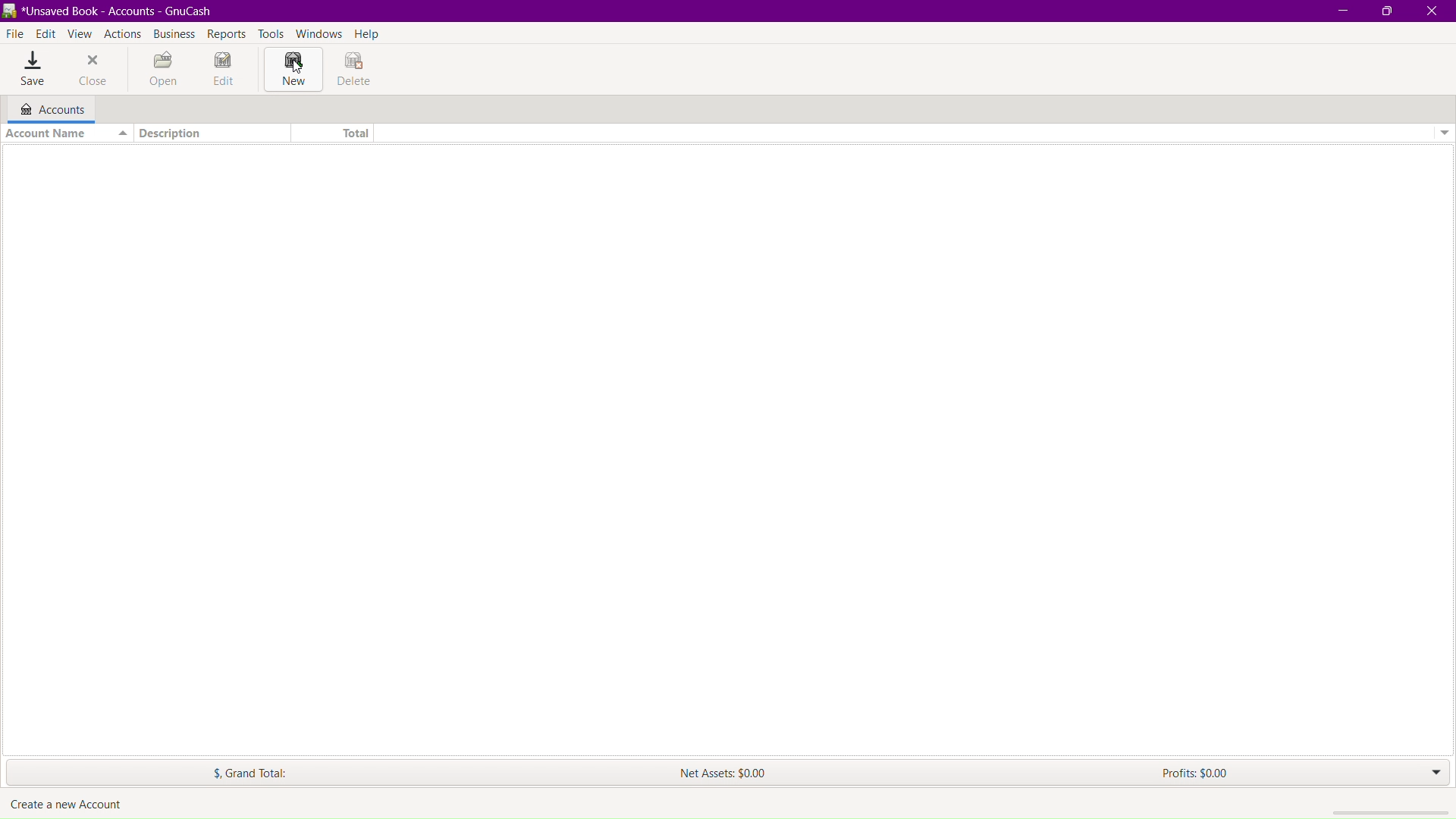 This screenshot has width=1456, height=819. What do you see at coordinates (269, 31) in the screenshot?
I see `Tools` at bounding box center [269, 31].